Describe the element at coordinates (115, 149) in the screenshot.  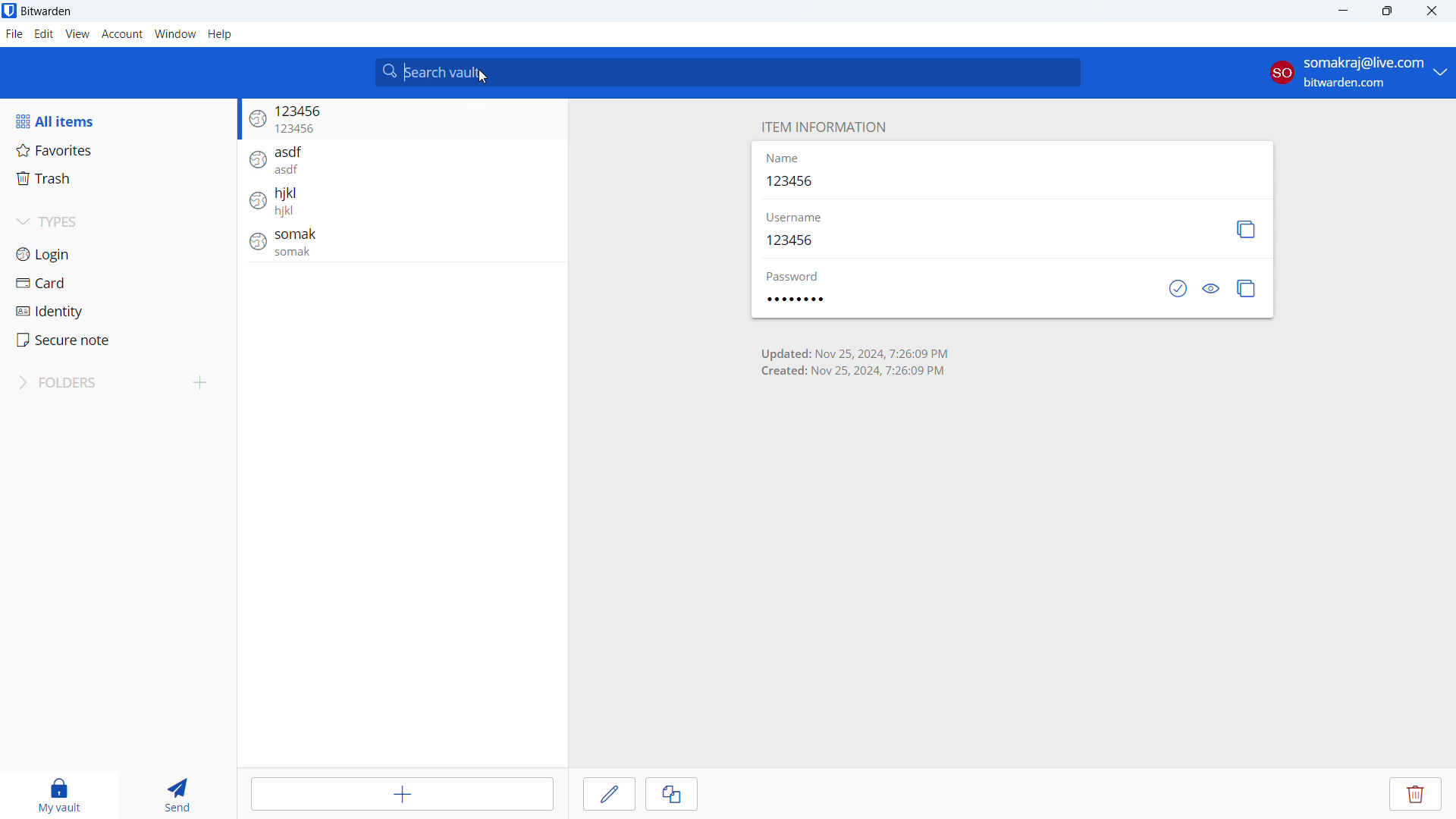
I see `favorites` at that location.